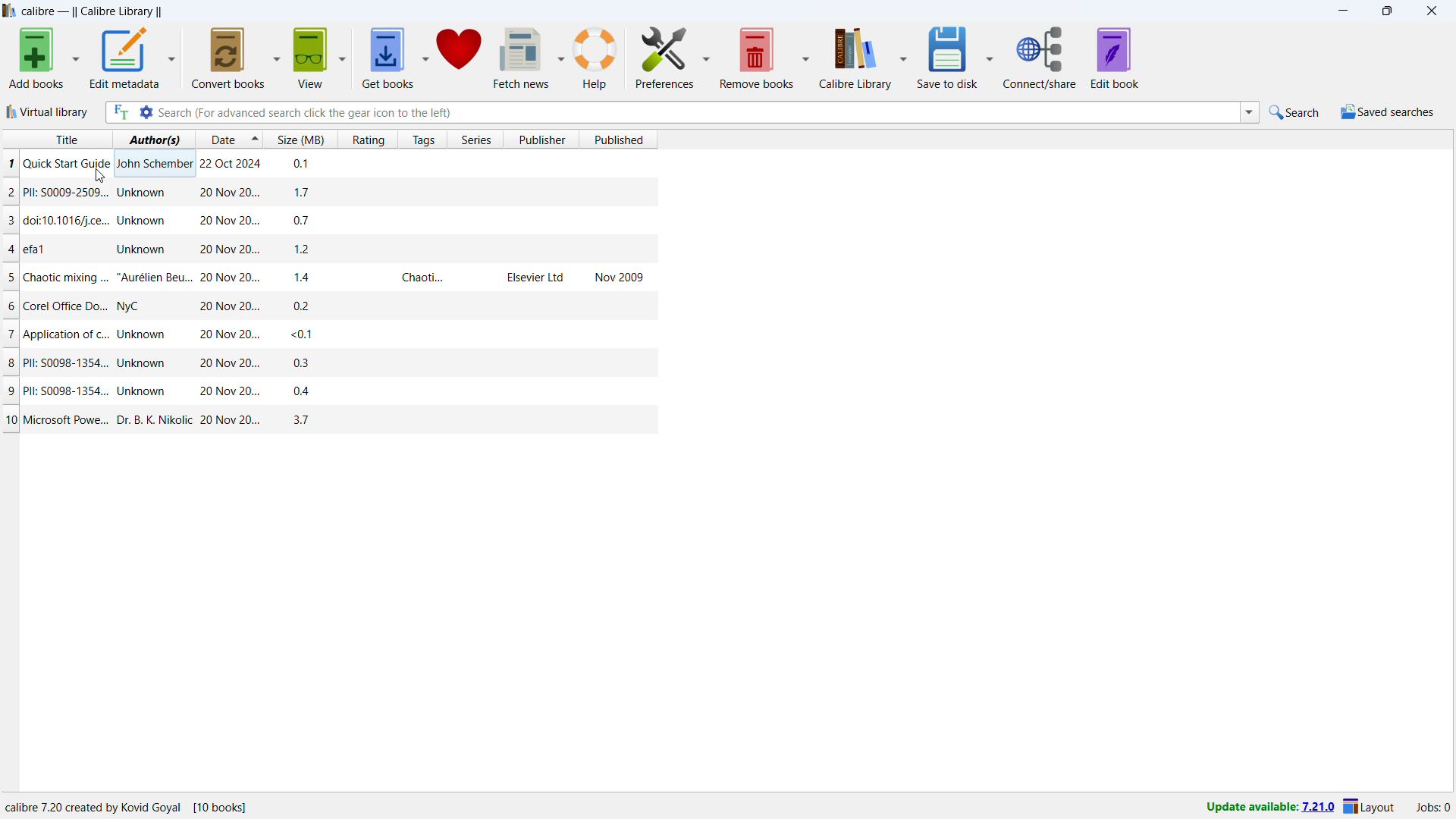 Image resolution: width=1456 pixels, height=819 pixels. I want to click on enter search string, so click(698, 113).